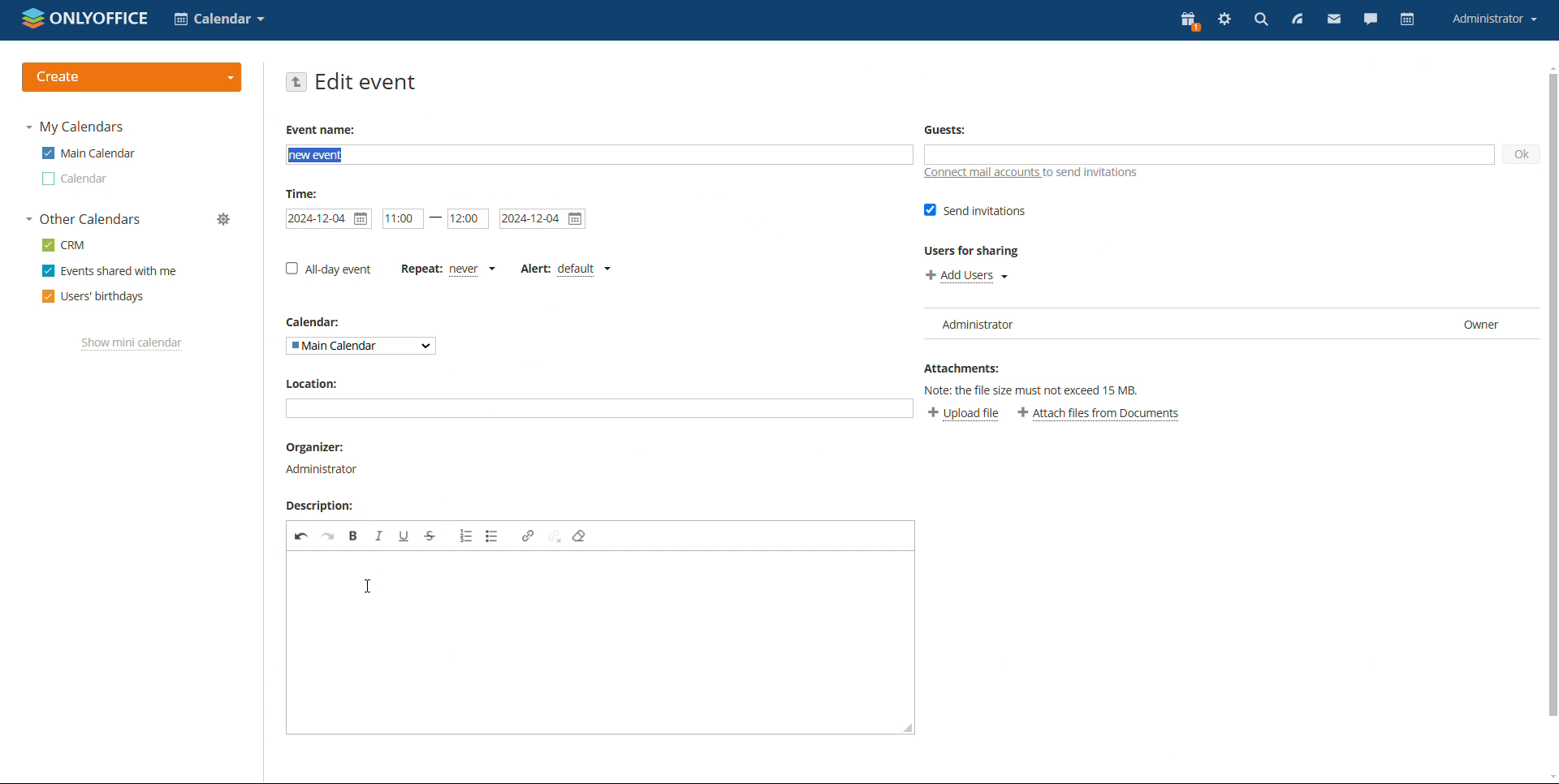  What do you see at coordinates (528, 536) in the screenshot?
I see `link` at bounding box center [528, 536].